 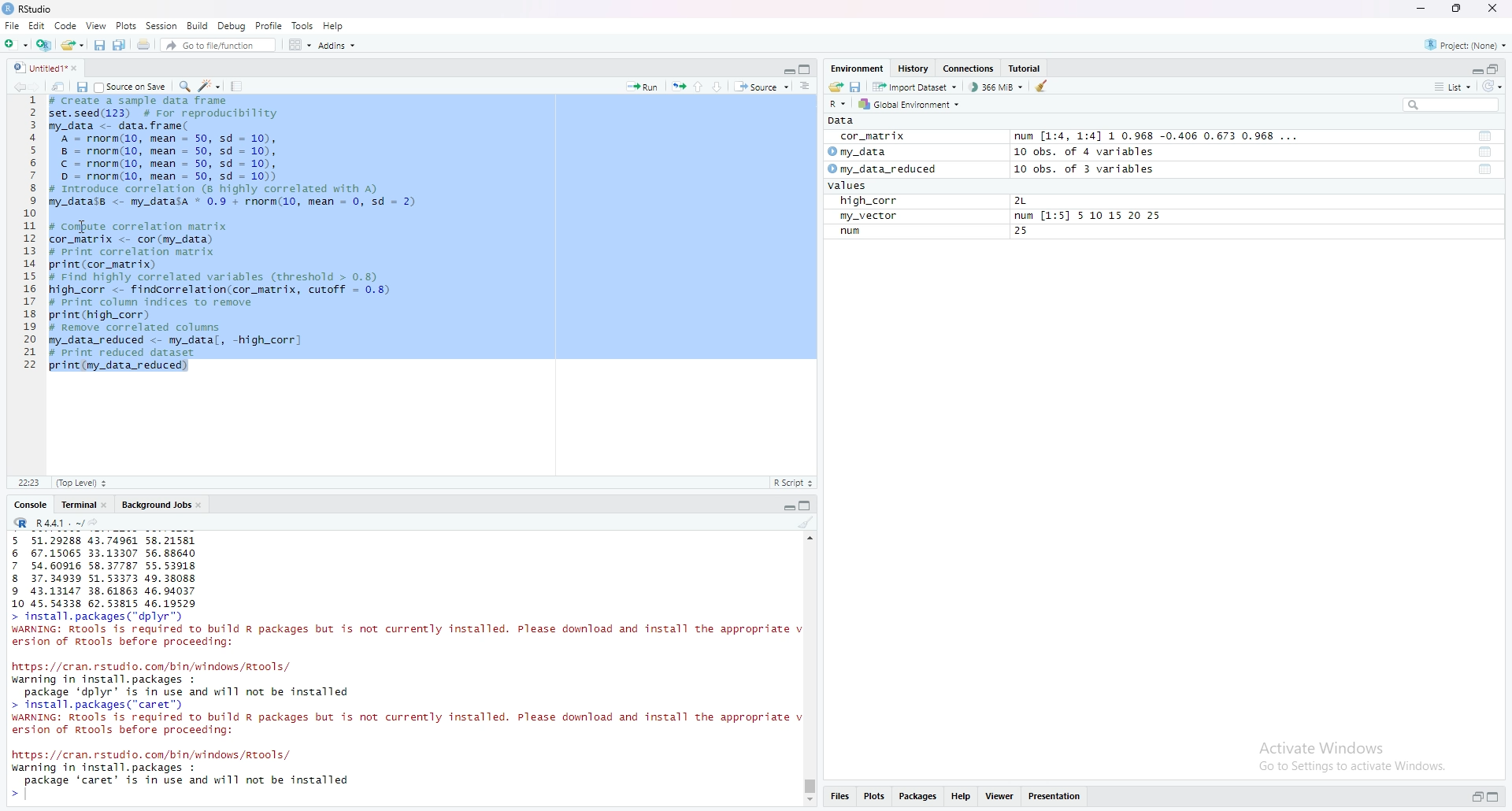 I want to click on R Script , so click(x=793, y=484).